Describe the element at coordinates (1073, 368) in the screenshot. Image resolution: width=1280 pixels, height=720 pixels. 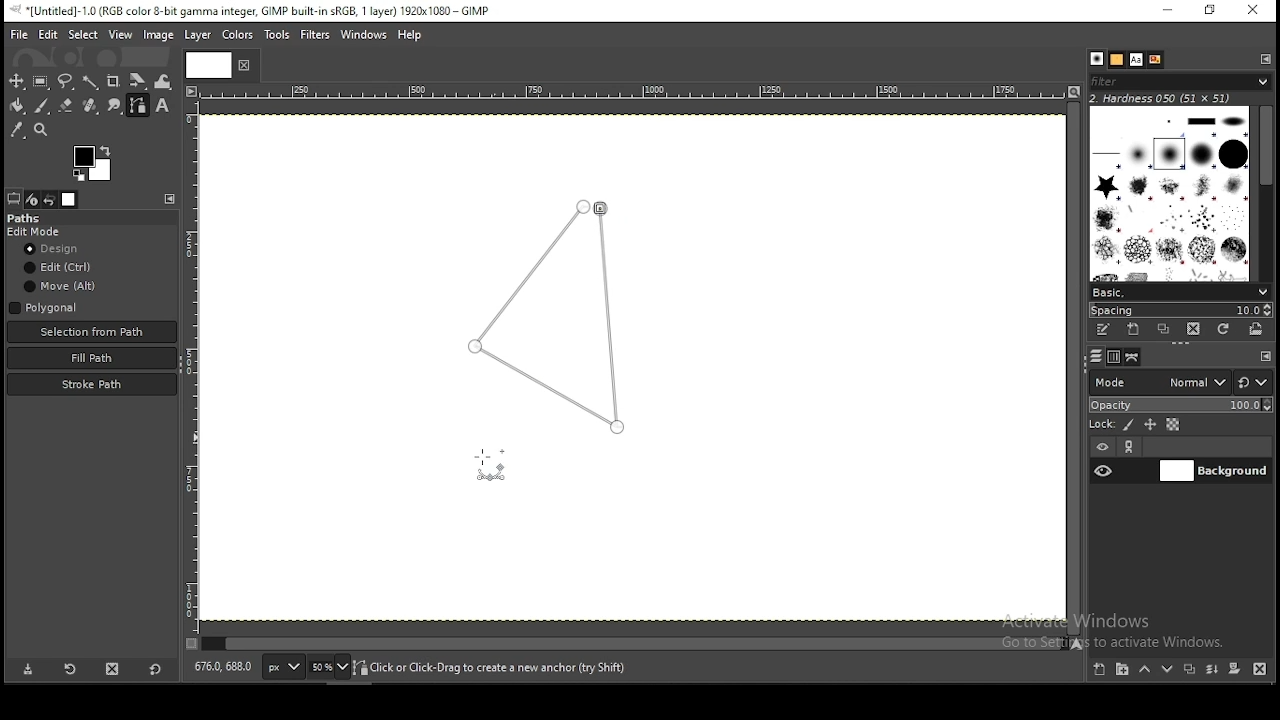
I see `scroll bar` at that location.